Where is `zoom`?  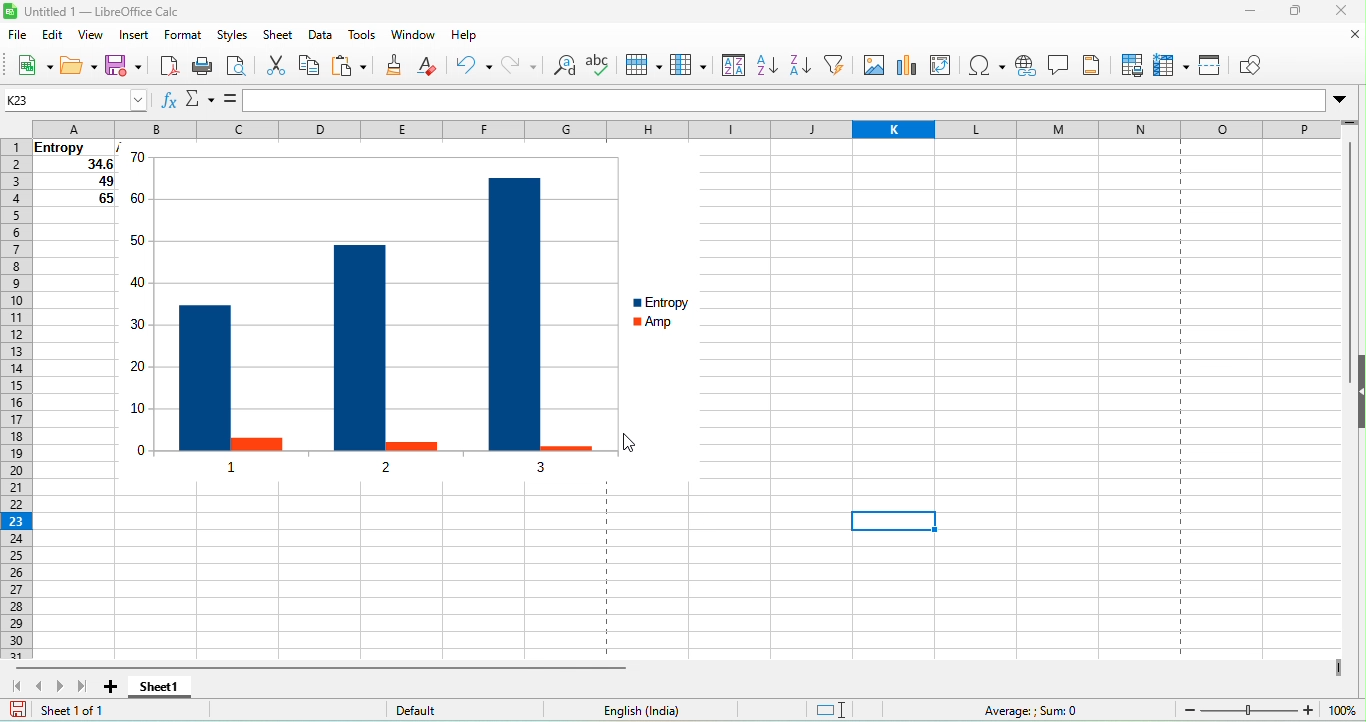
zoom is located at coordinates (1272, 709).